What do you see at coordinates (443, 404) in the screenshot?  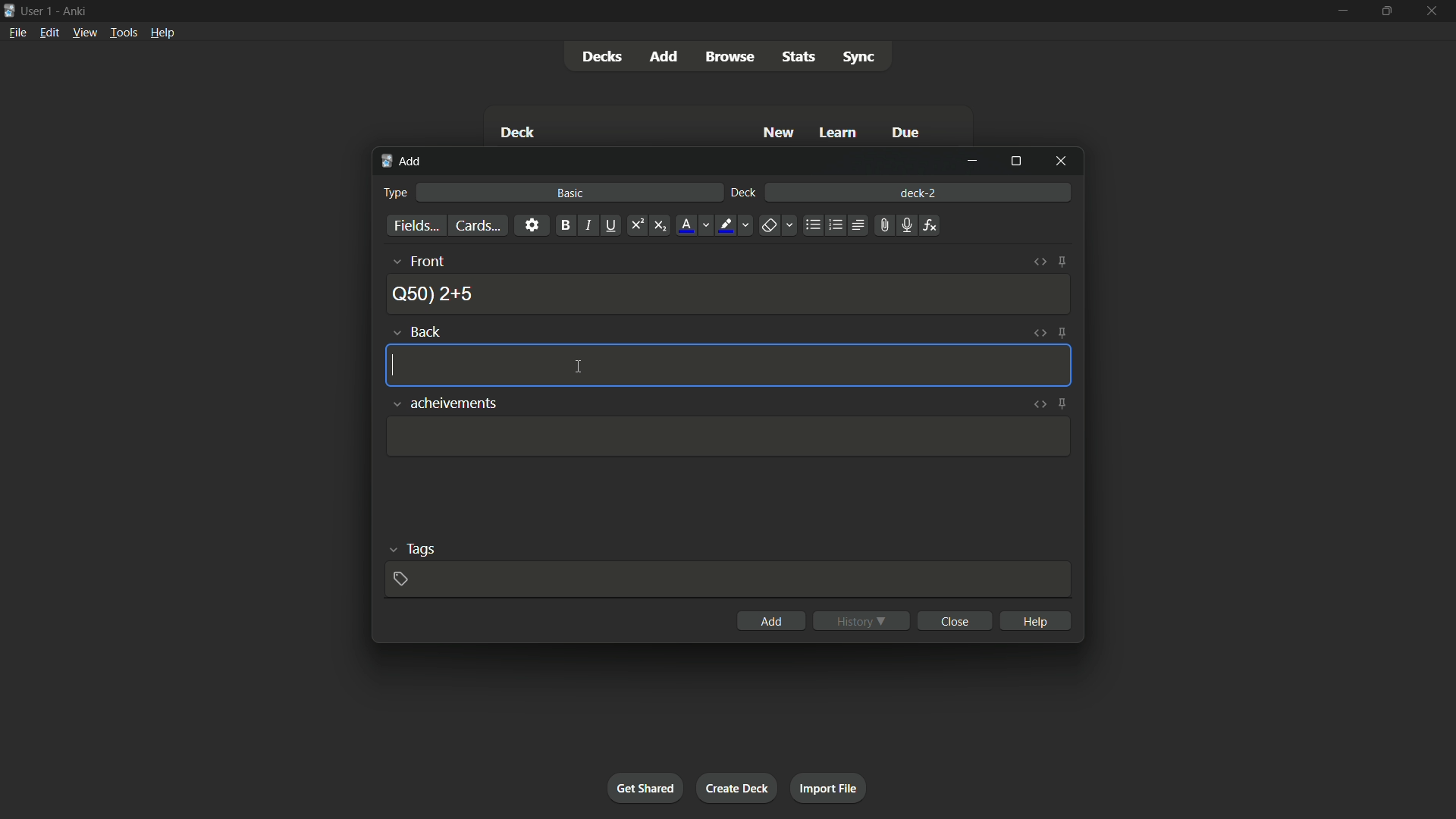 I see `achievements` at bounding box center [443, 404].